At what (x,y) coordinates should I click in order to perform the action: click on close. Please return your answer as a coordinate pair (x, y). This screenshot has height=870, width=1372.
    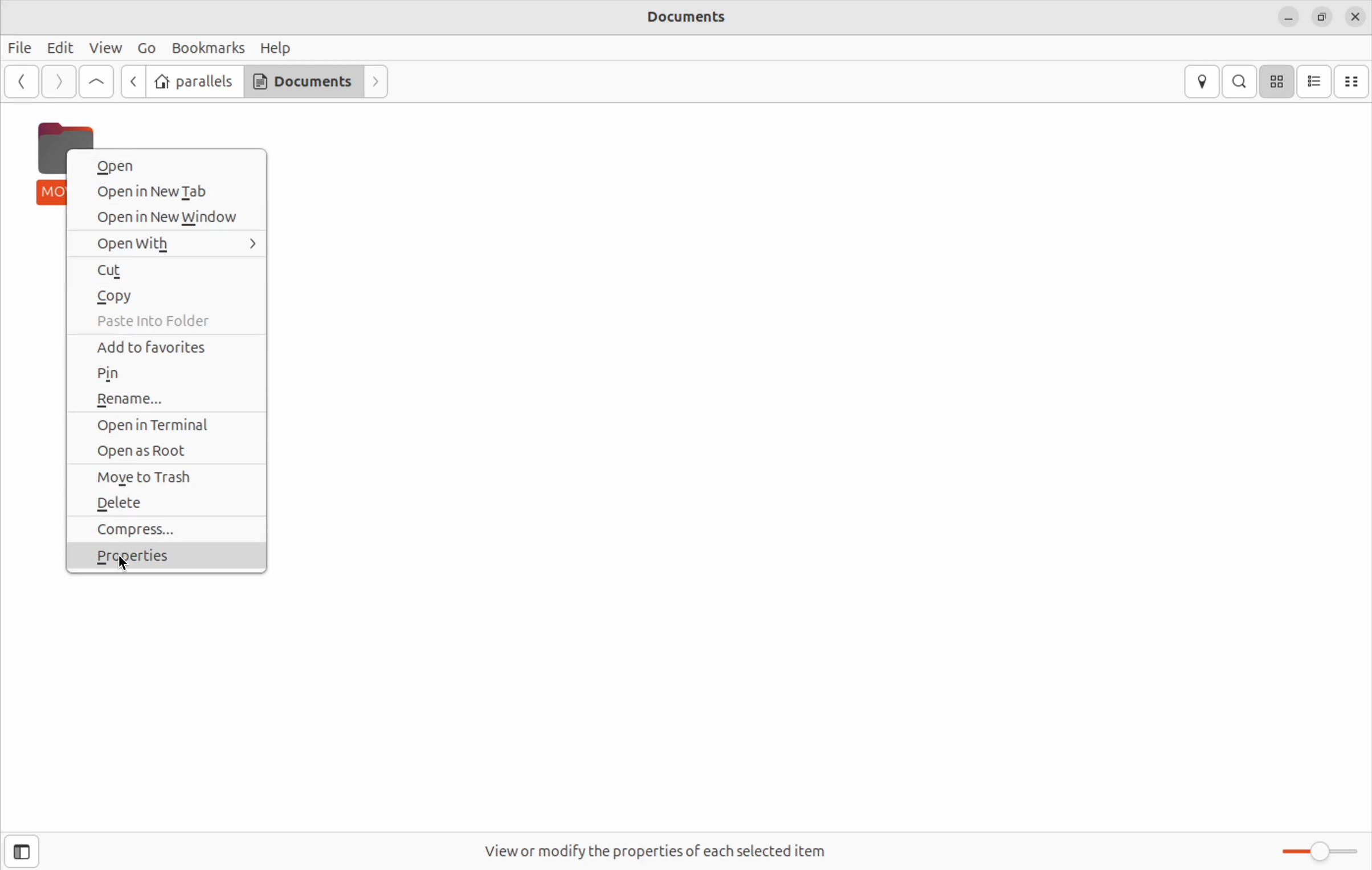
    Looking at the image, I should click on (1352, 17).